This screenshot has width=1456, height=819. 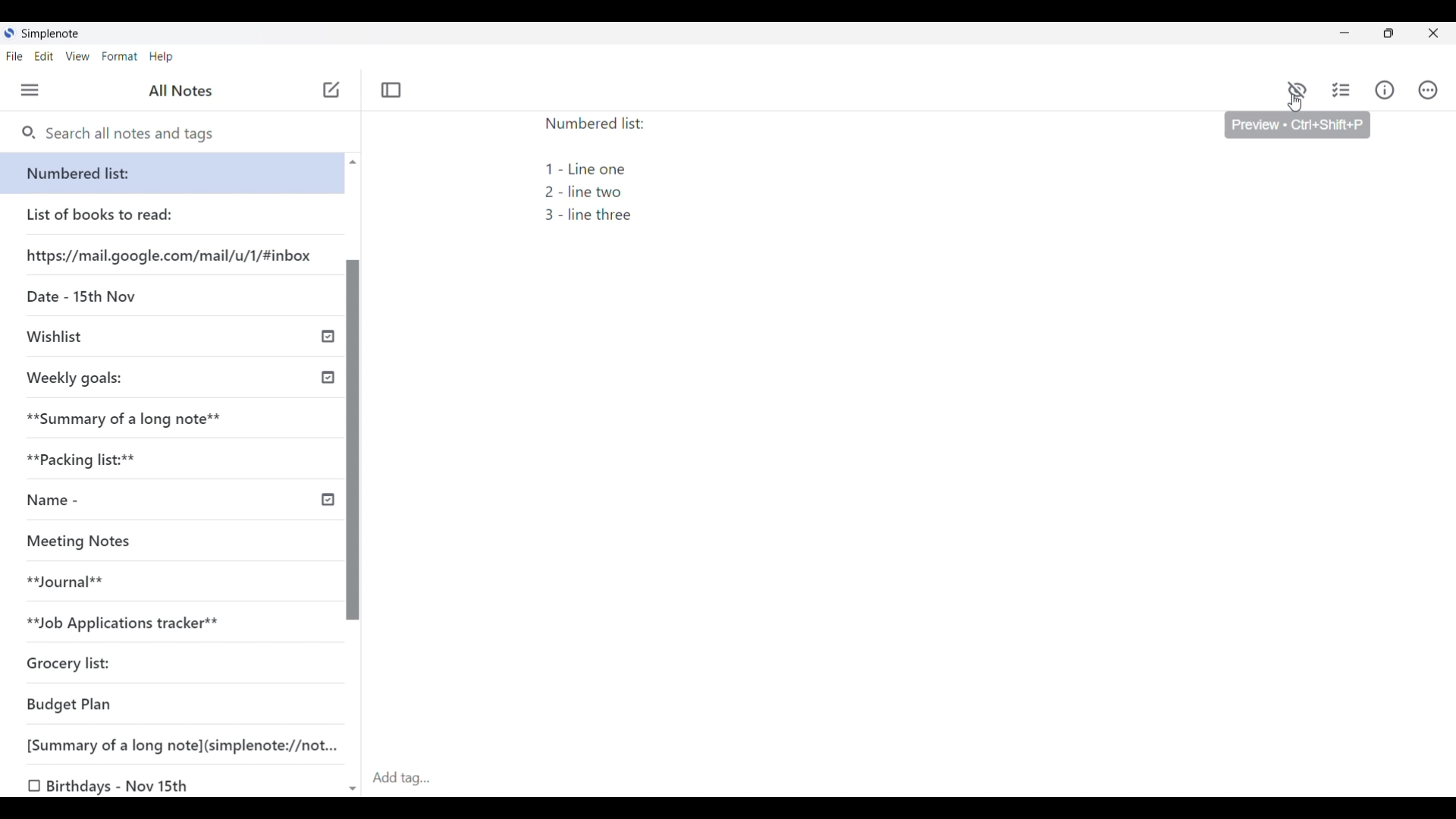 I want to click on Preview « Ctrl+Shift+P, so click(x=1302, y=129).